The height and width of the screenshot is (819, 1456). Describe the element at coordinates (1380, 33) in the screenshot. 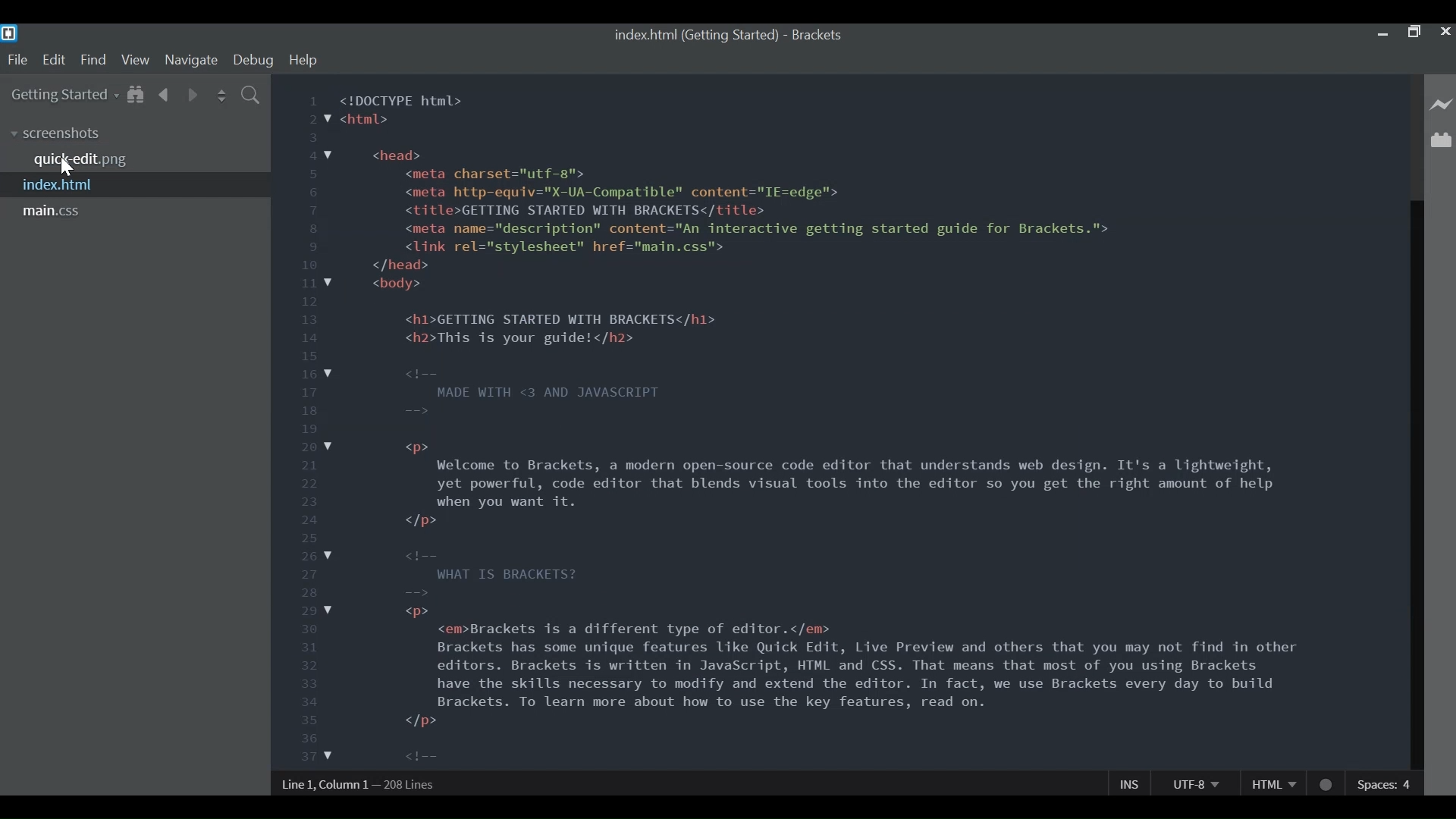

I see `minimize` at that location.